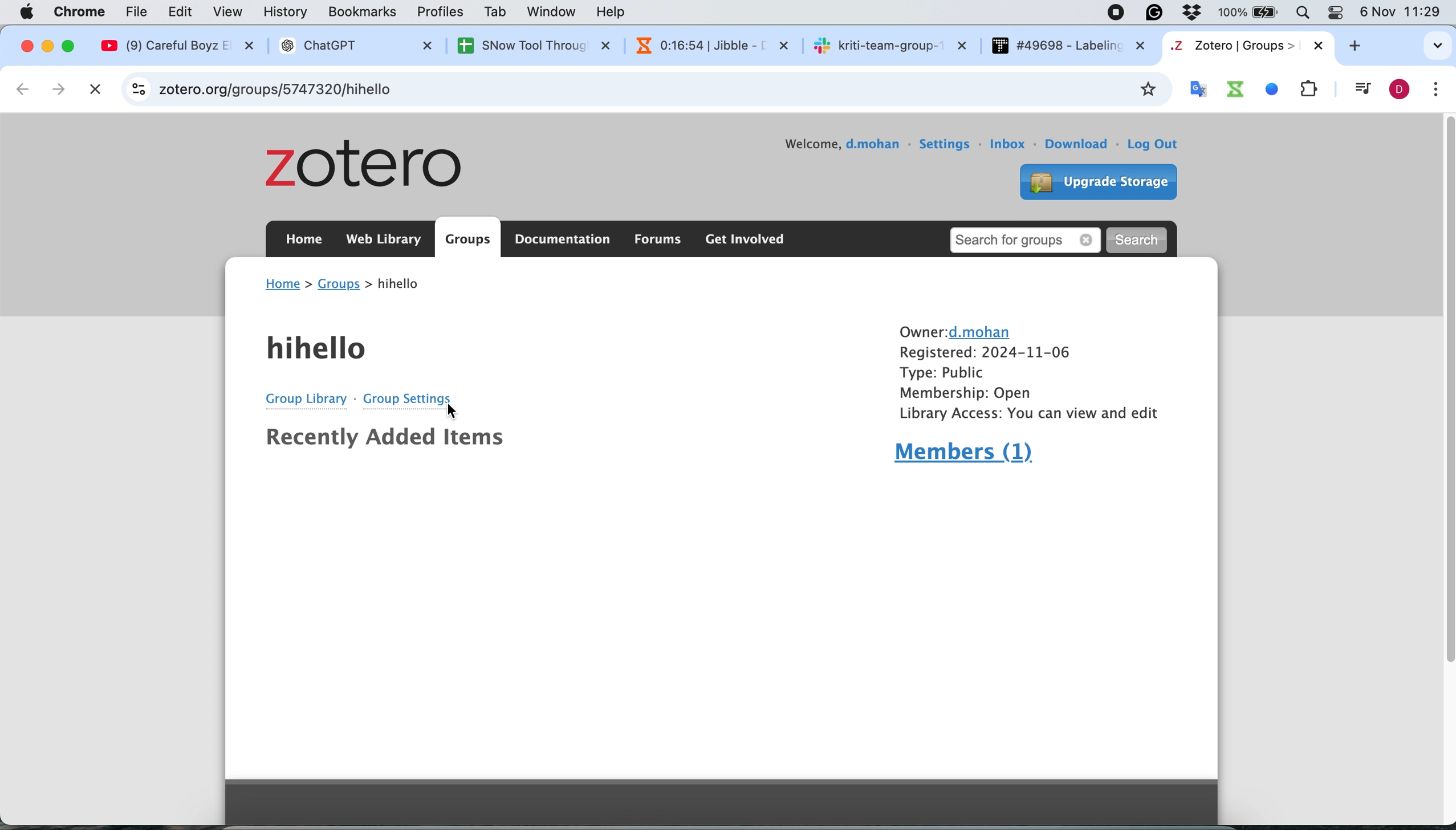 This screenshot has width=1456, height=830. Describe the element at coordinates (966, 455) in the screenshot. I see `members (1)` at that location.